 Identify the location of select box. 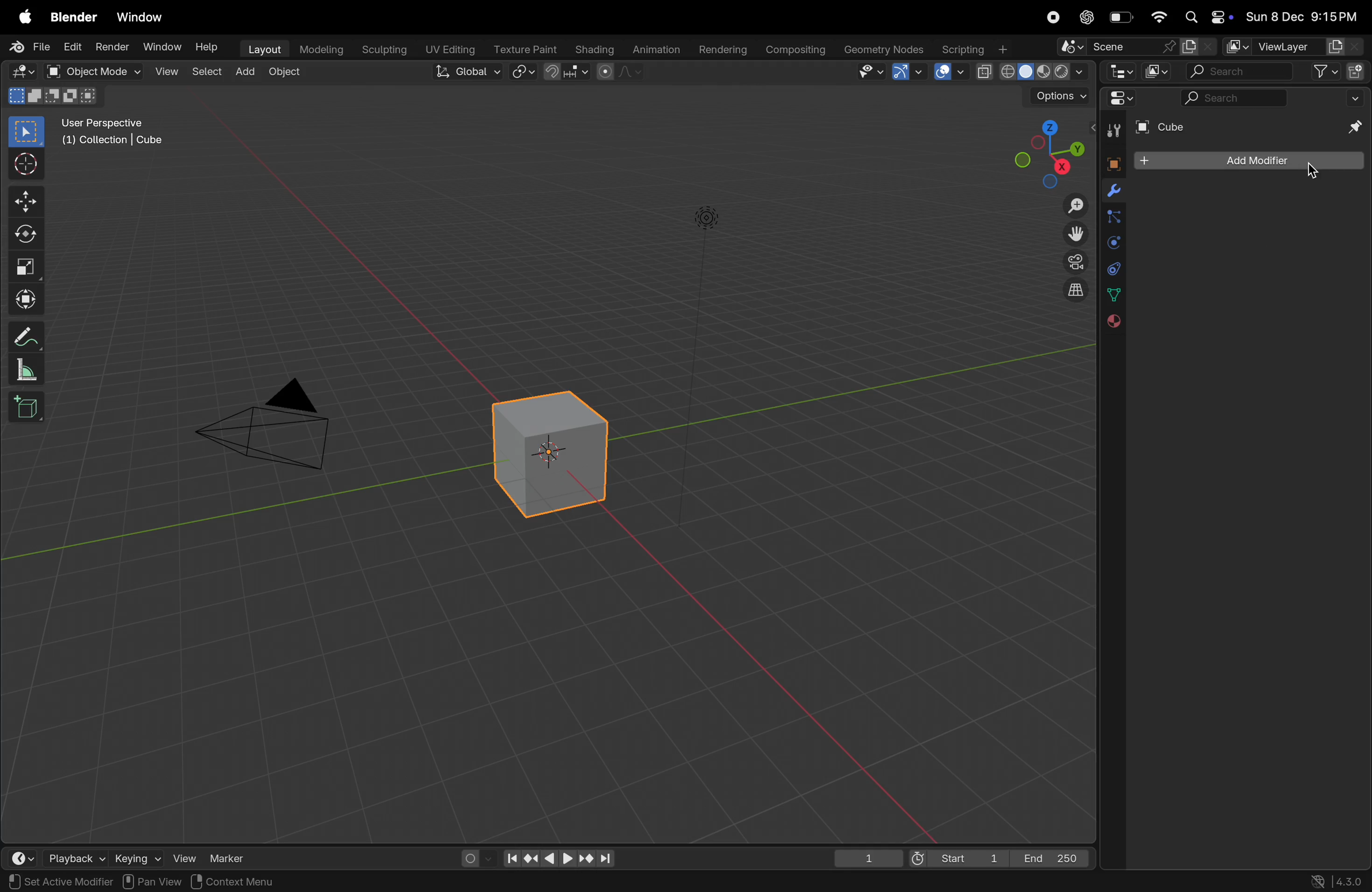
(27, 131).